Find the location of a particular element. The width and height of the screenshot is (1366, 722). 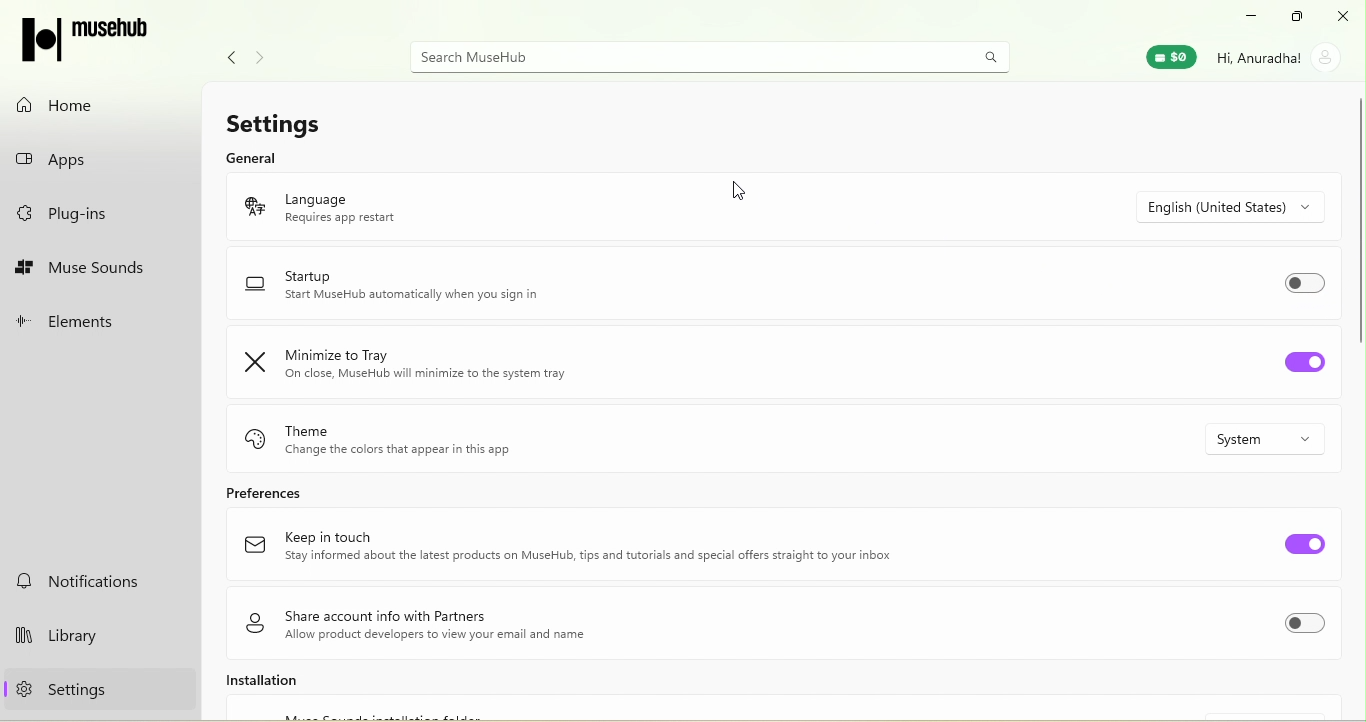

apps is located at coordinates (93, 162).